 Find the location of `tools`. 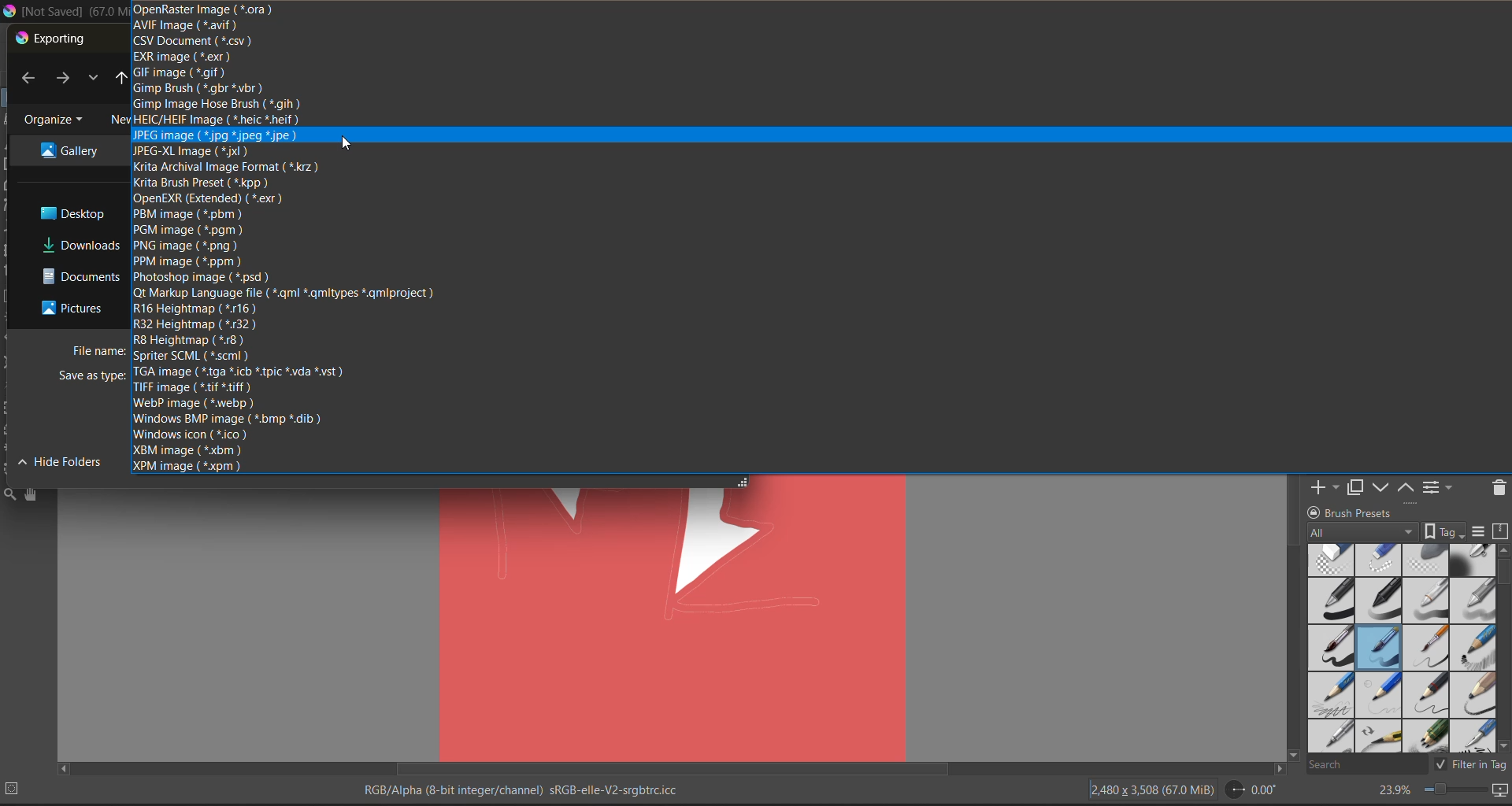

tools is located at coordinates (9, 493).